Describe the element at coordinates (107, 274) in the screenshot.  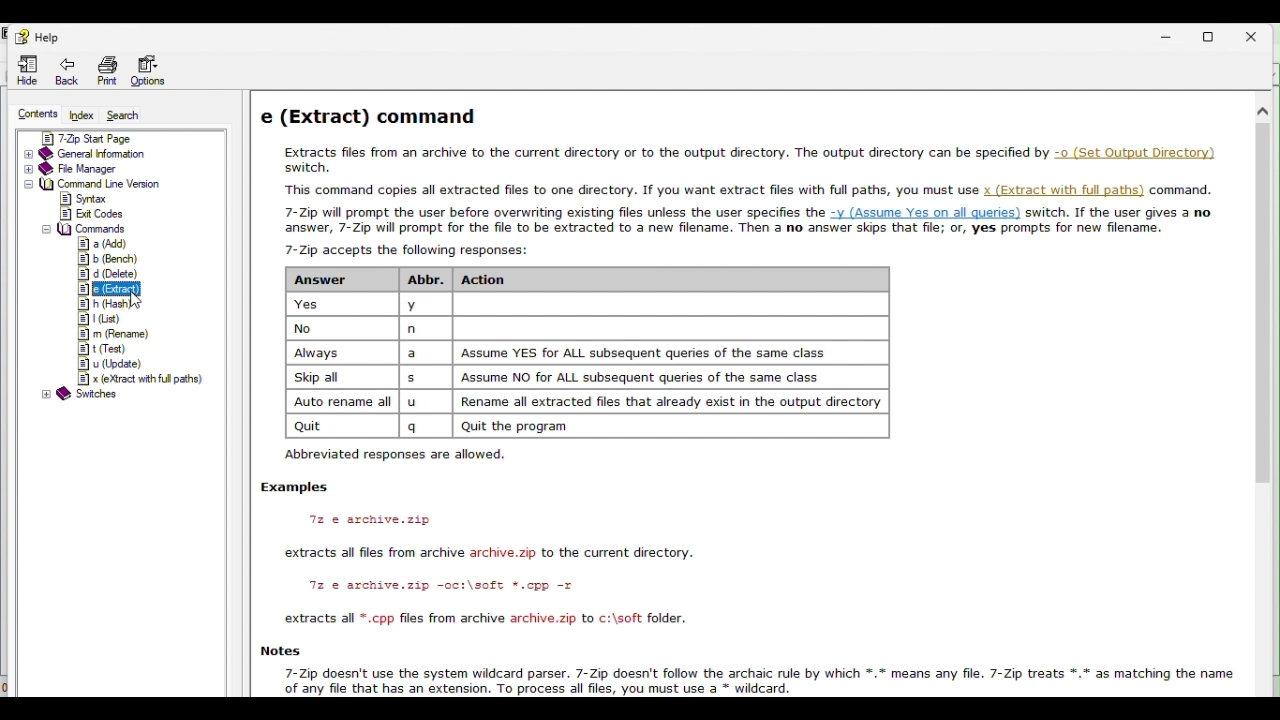
I see `d( delete )` at that location.